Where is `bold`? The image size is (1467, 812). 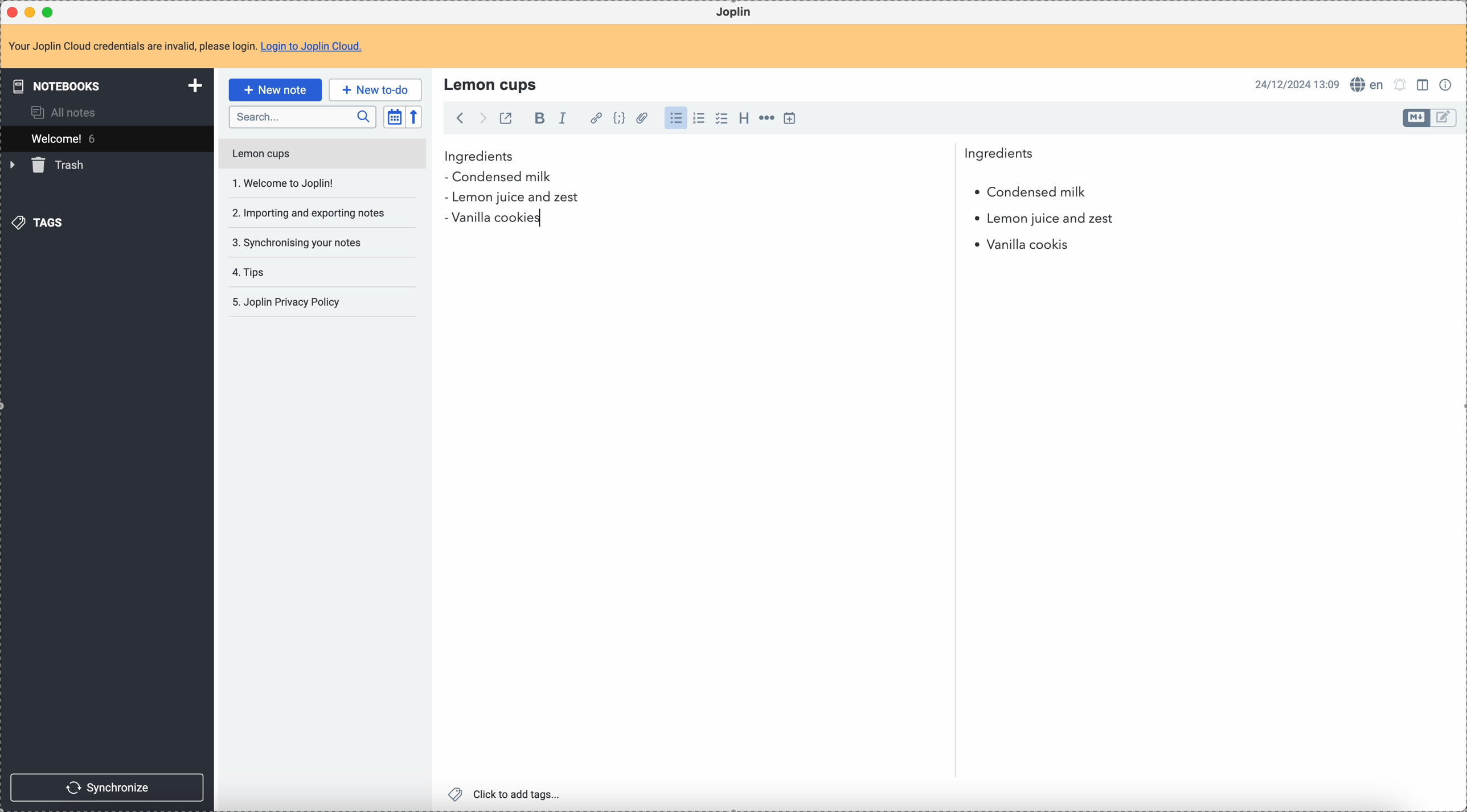
bold is located at coordinates (536, 119).